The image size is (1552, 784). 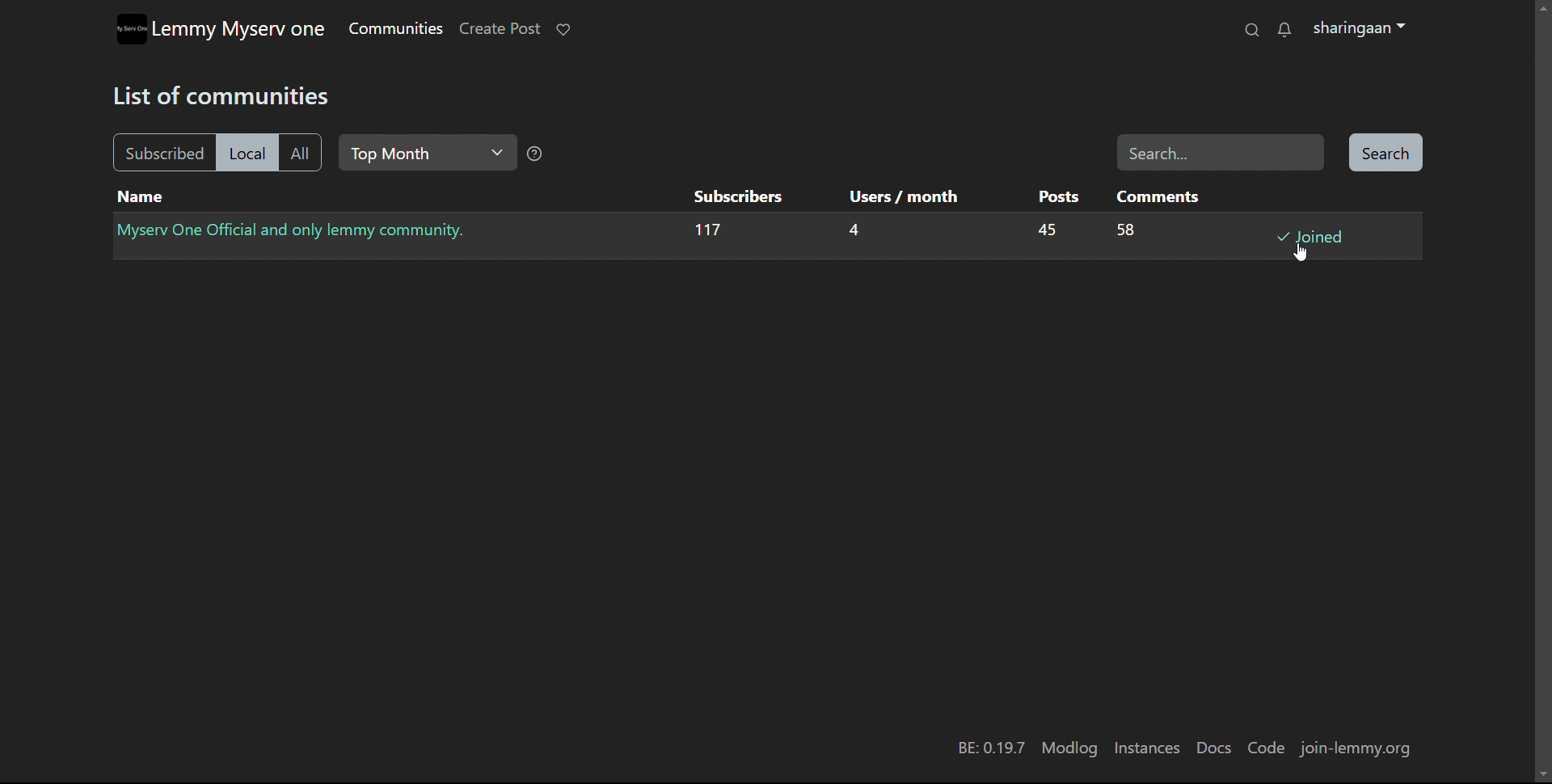 I want to click on lemmy myserv one, so click(x=239, y=30).